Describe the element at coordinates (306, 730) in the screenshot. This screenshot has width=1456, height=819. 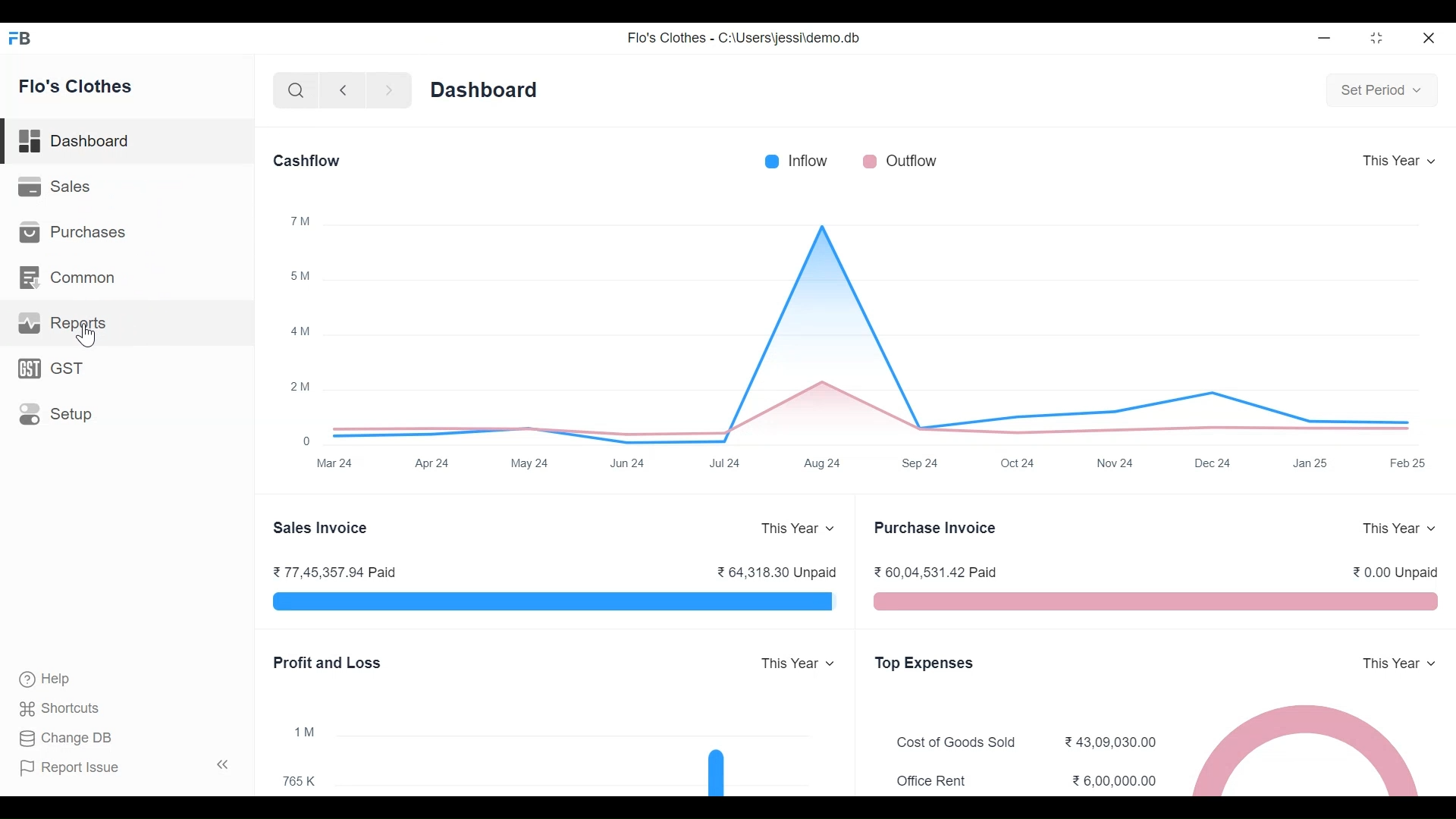
I see `1M` at that location.